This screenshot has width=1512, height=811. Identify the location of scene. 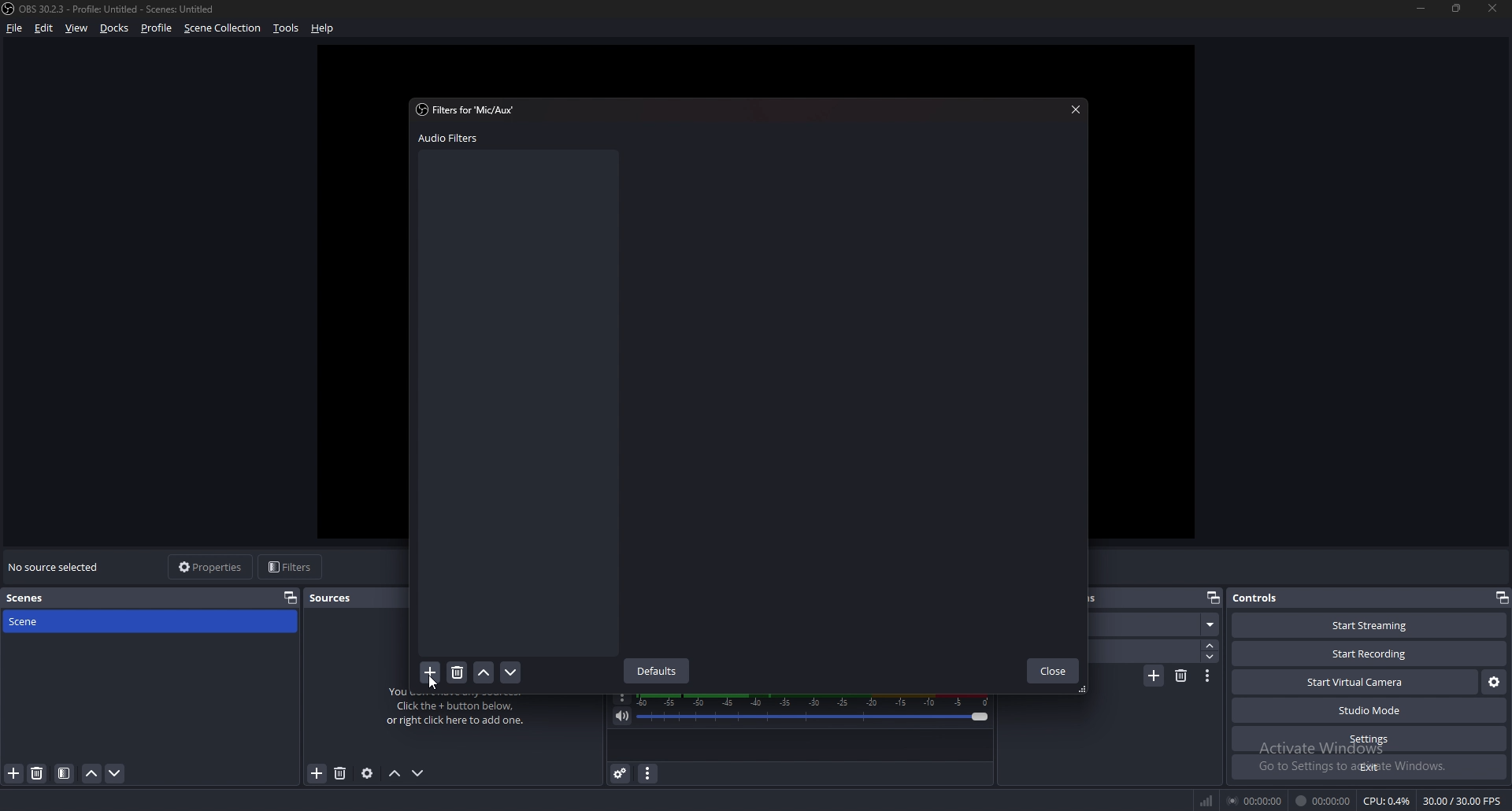
(46, 621).